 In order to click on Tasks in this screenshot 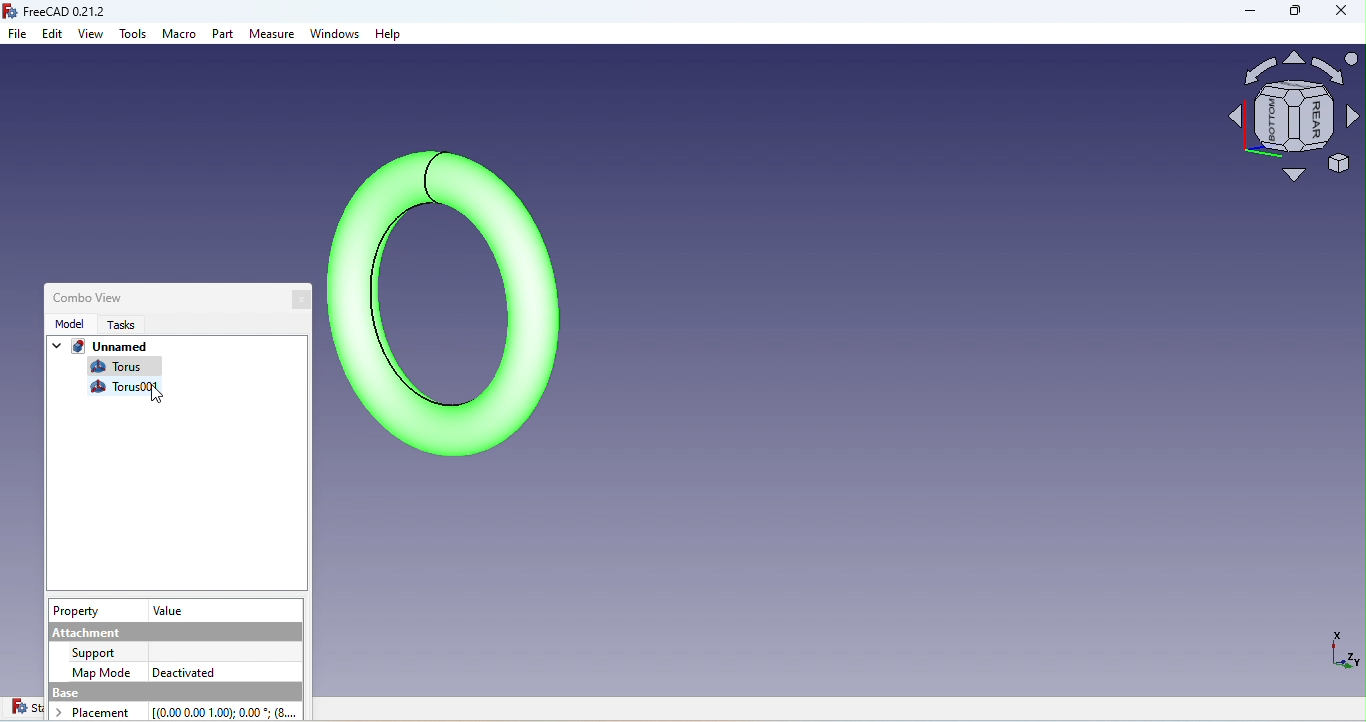, I will do `click(115, 325)`.